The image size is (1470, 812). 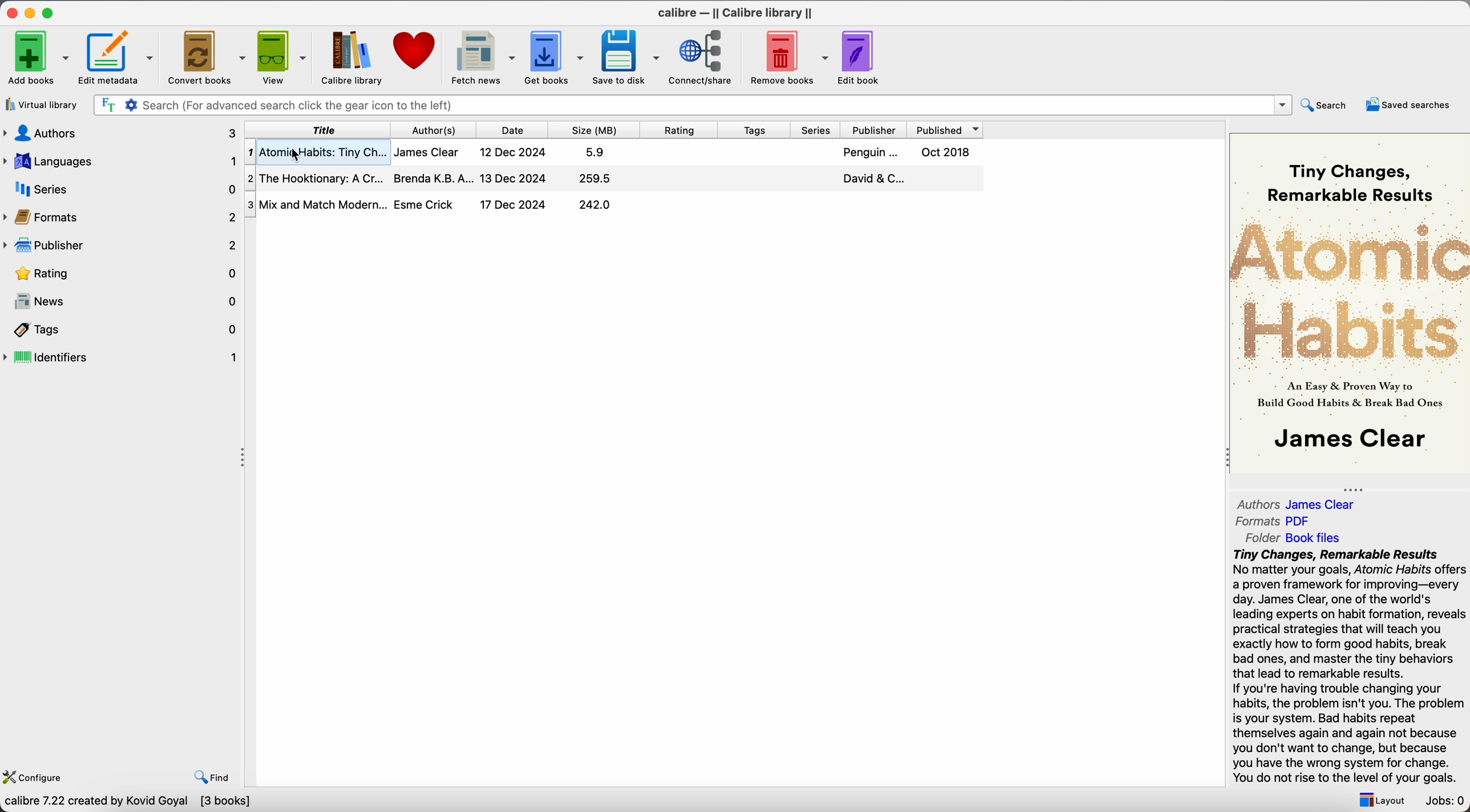 I want to click on news, so click(x=124, y=300).